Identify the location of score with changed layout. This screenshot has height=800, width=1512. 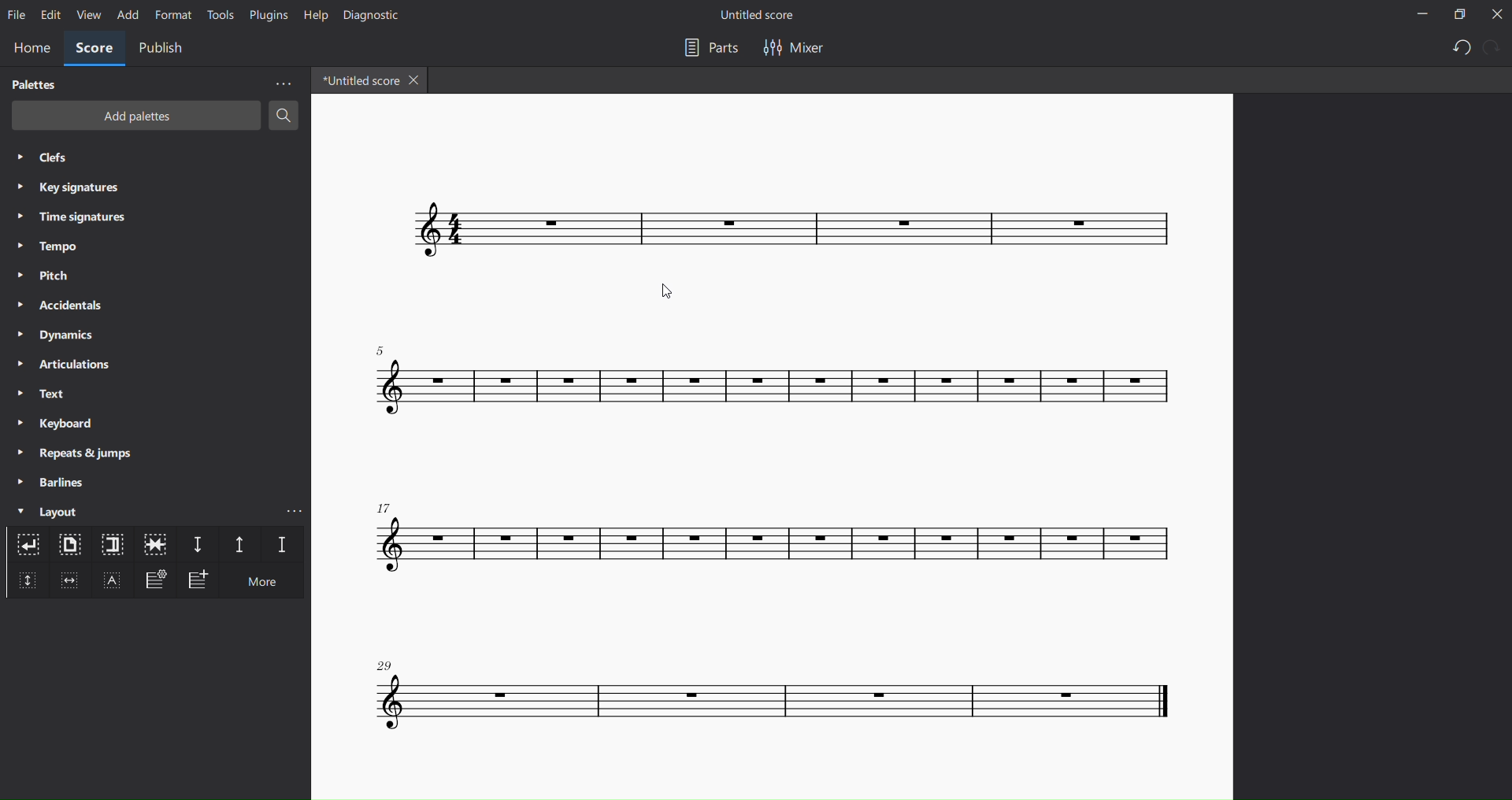
(766, 230).